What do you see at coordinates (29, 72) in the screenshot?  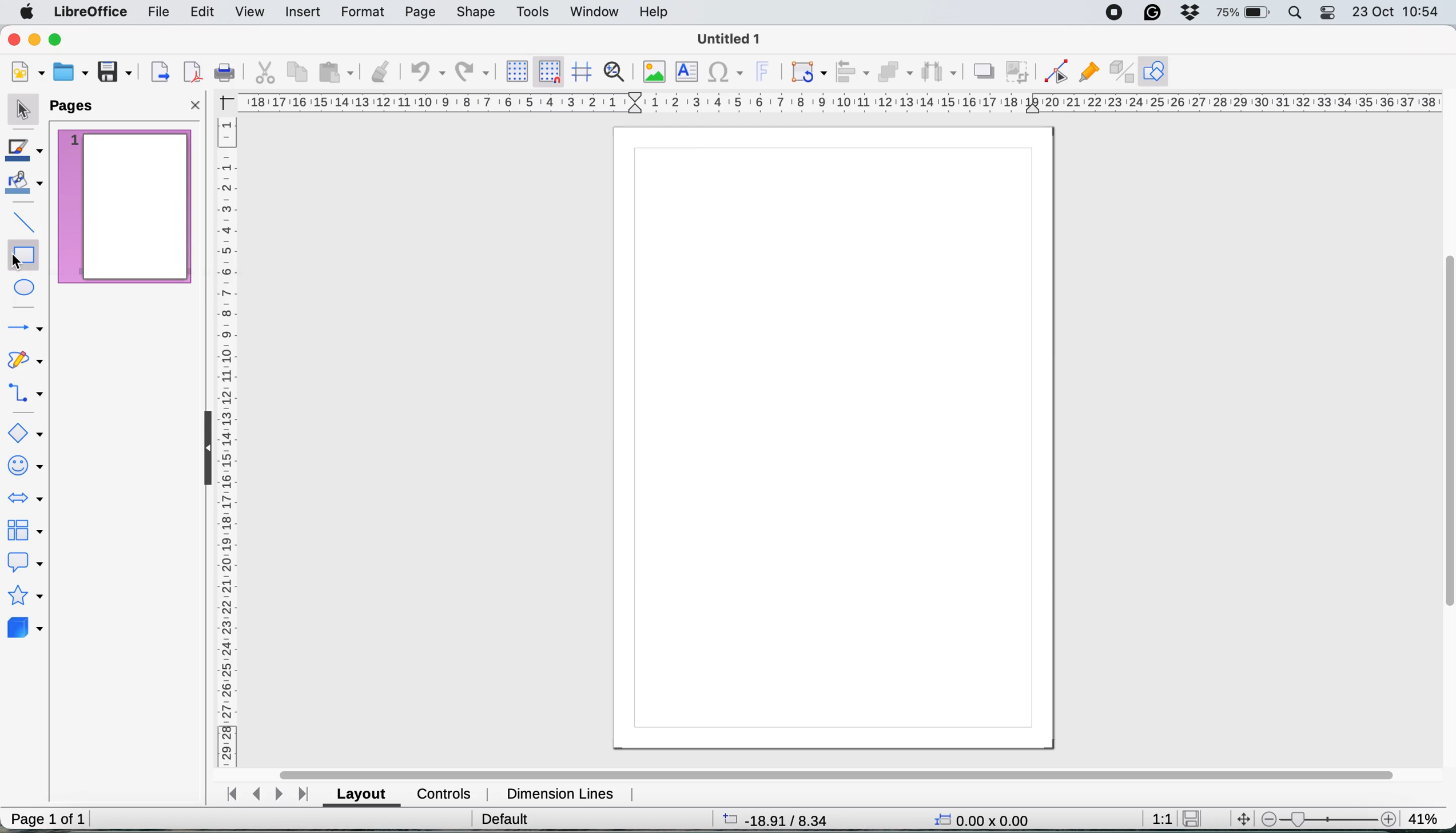 I see `new` at bounding box center [29, 72].